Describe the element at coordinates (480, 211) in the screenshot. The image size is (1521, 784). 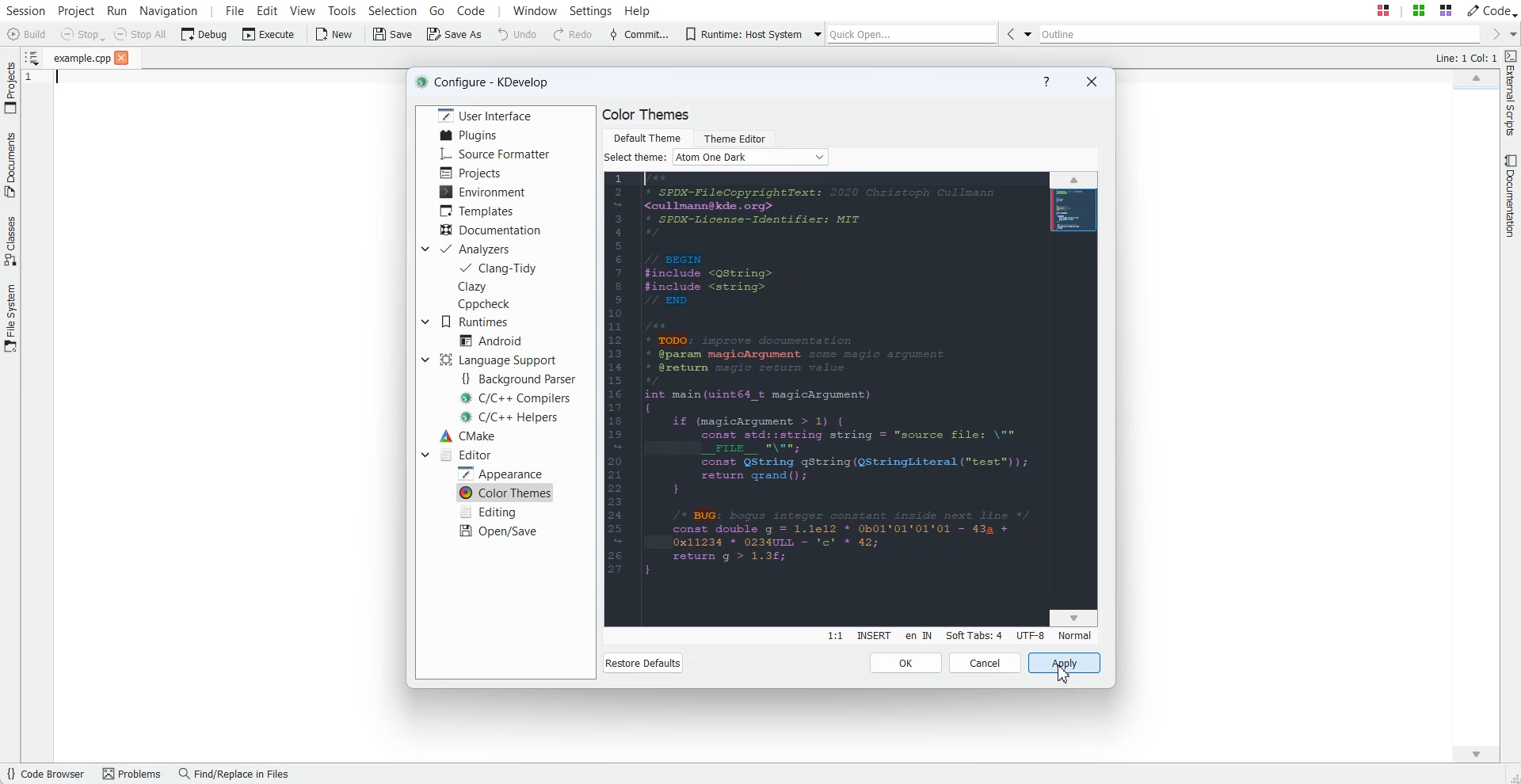
I see `Templates` at that location.